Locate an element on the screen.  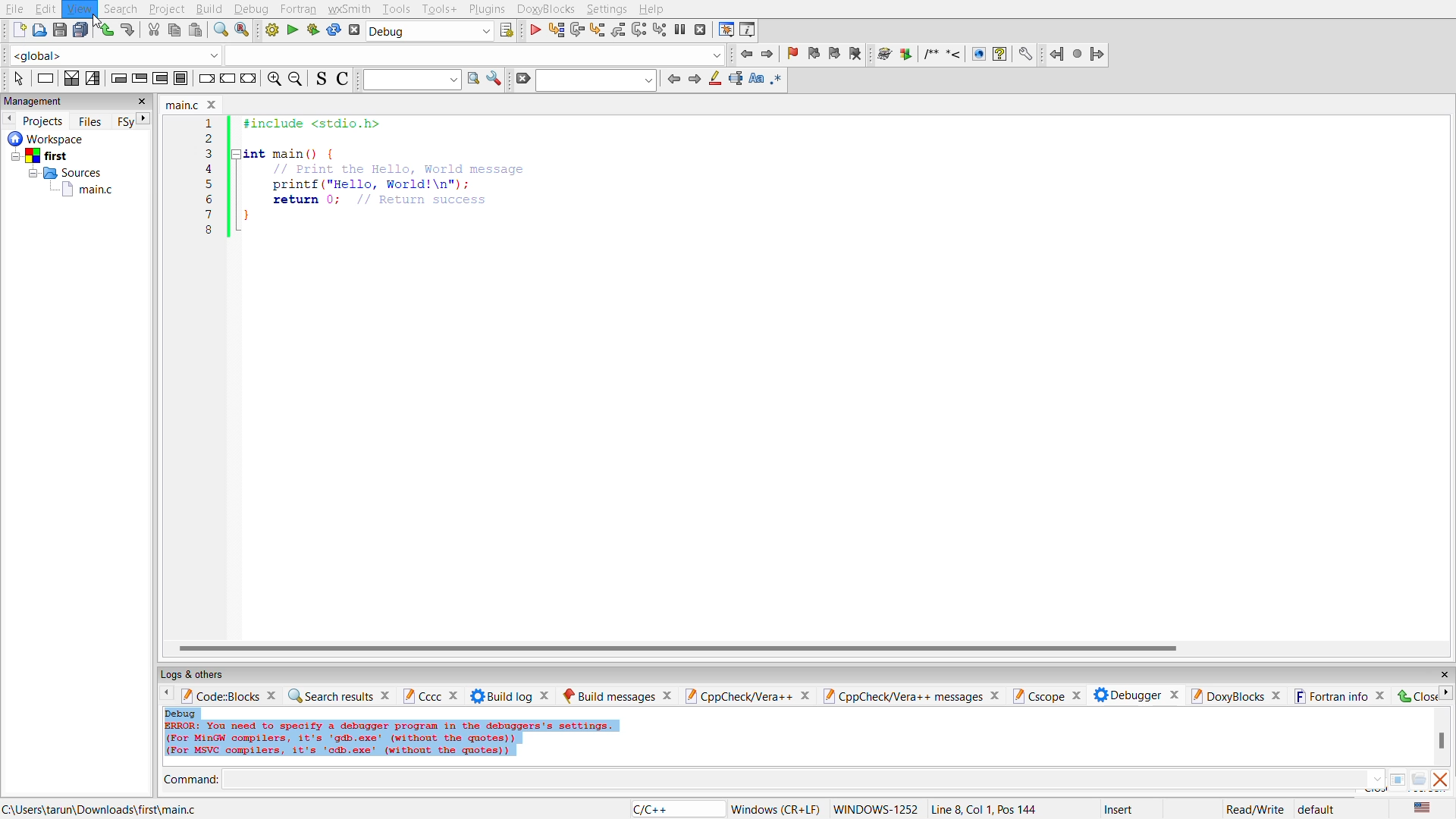
cppcheck/vera++ is located at coordinates (747, 693).